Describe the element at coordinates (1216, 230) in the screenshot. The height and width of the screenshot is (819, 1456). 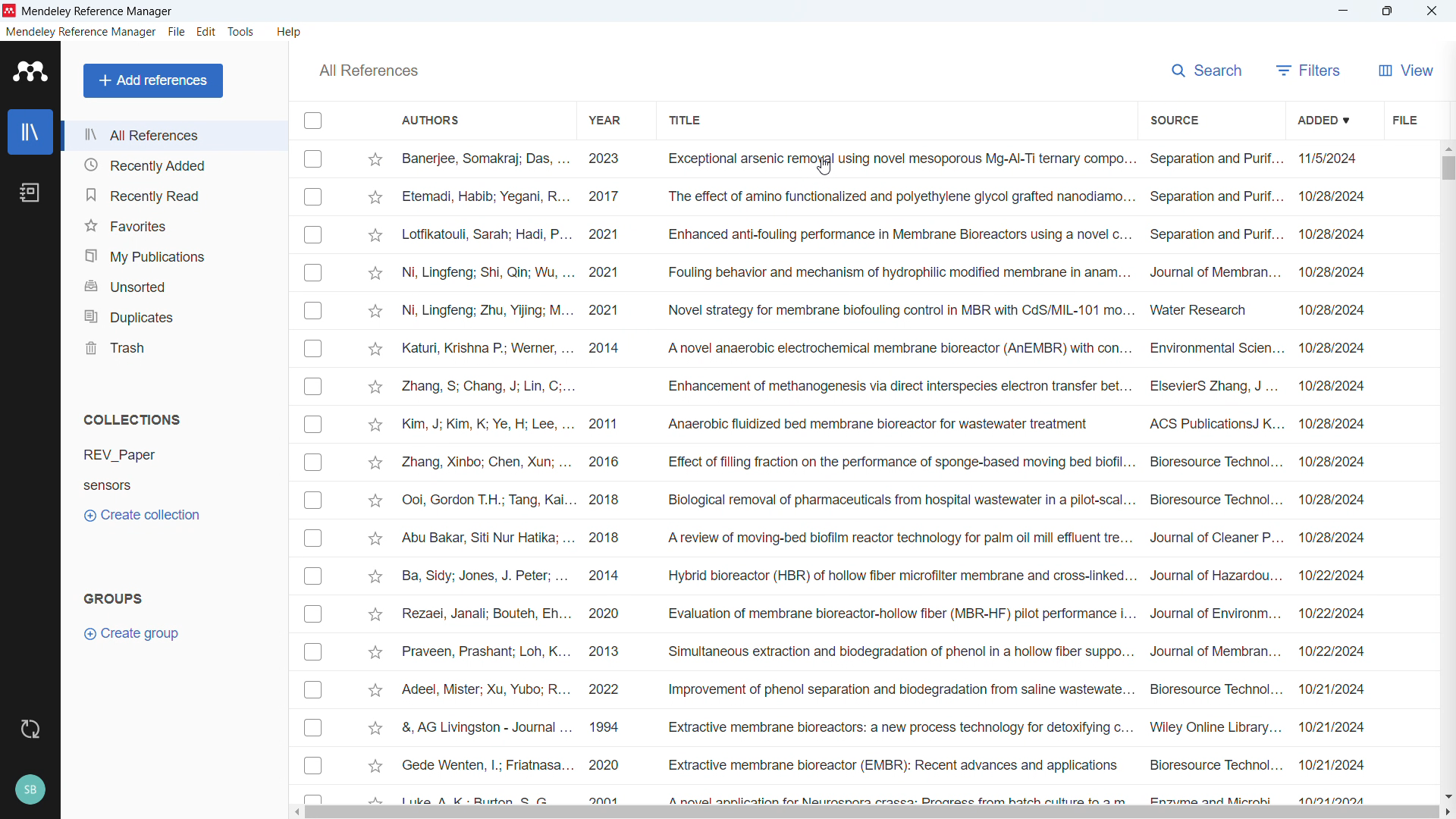
I see `separation and purif..` at that location.